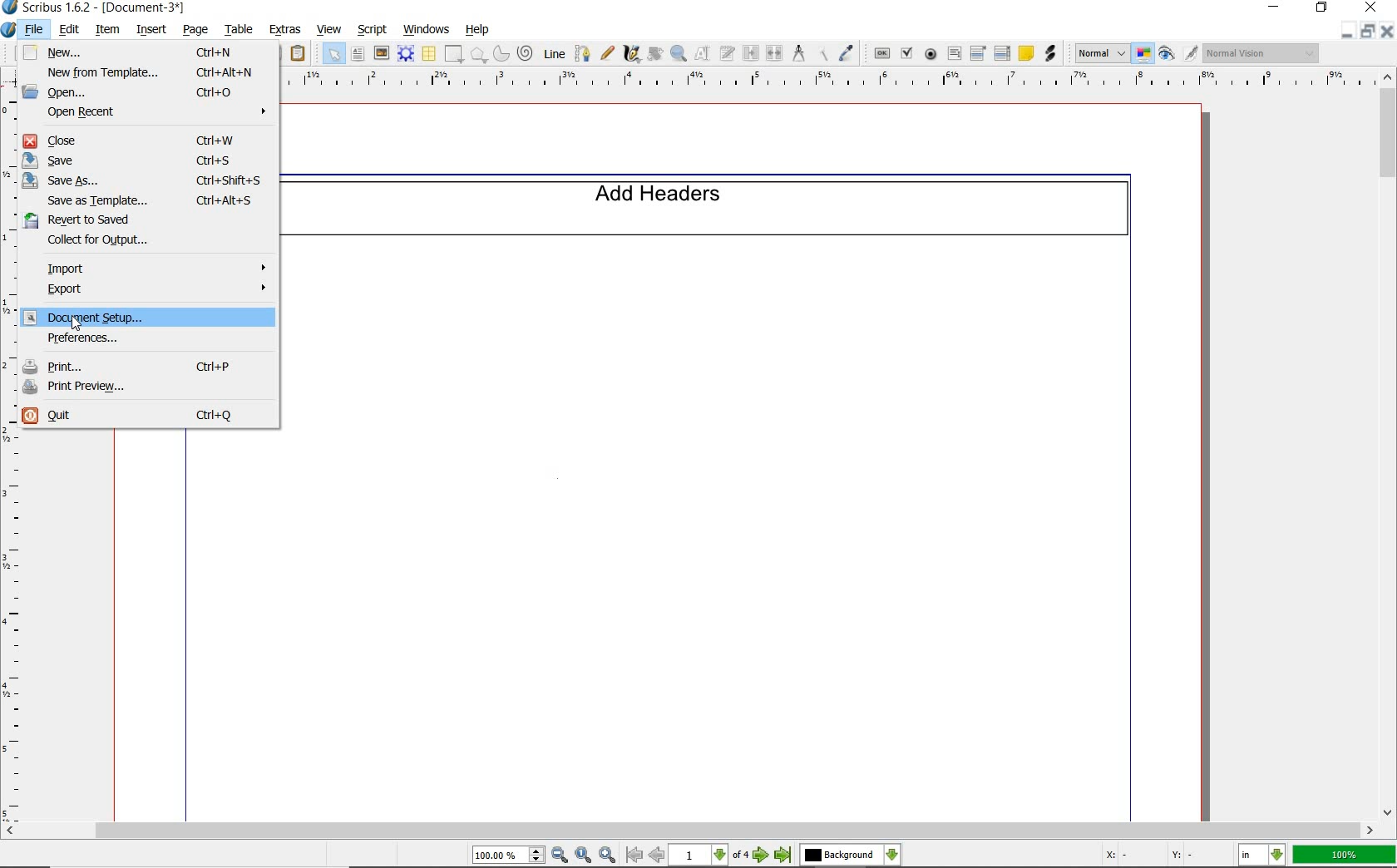  Describe the element at coordinates (149, 92) in the screenshot. I see `open` at that location.